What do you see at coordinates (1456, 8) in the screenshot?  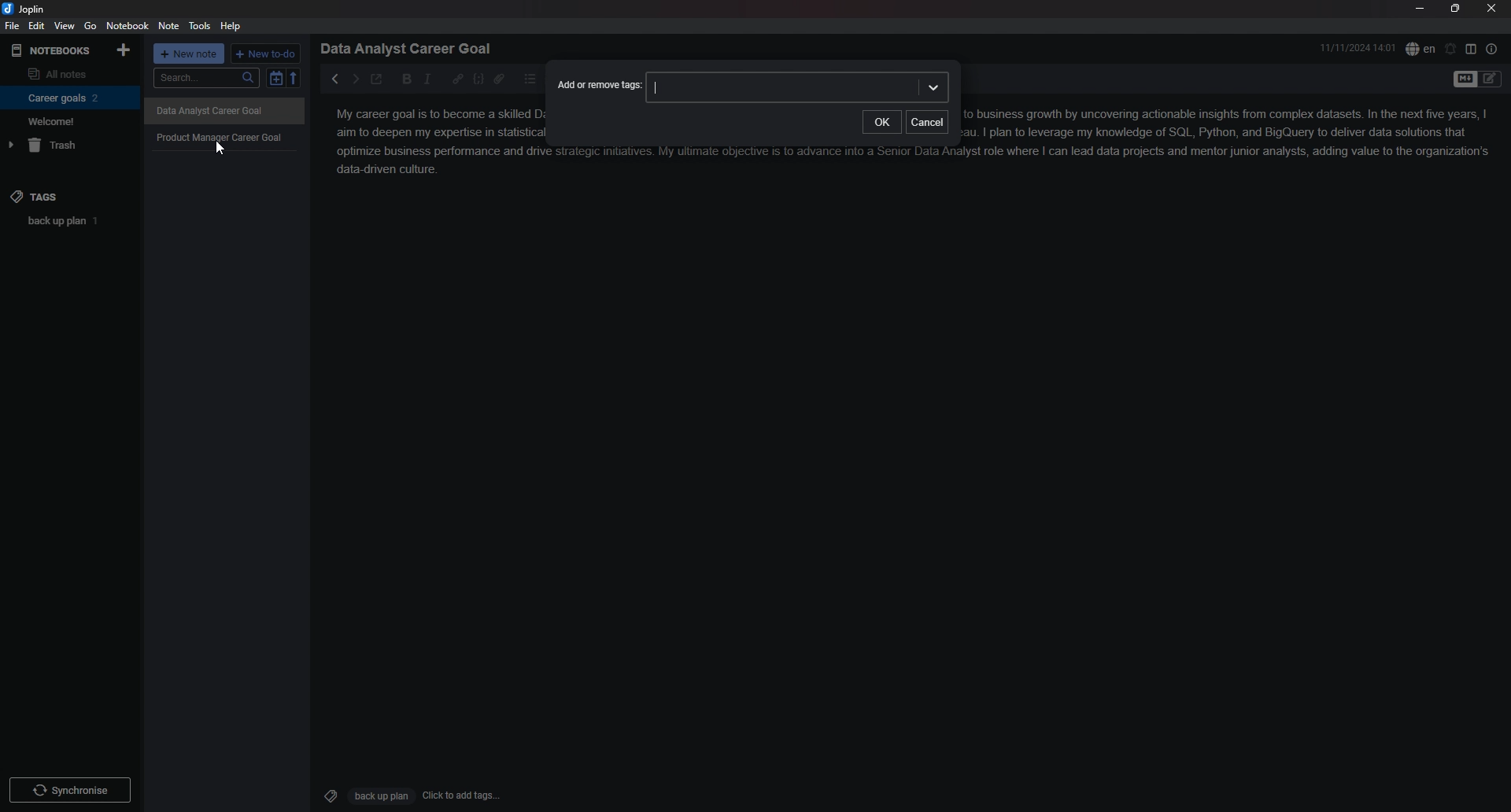 I see `resize` at bounding box center [1456, 8].